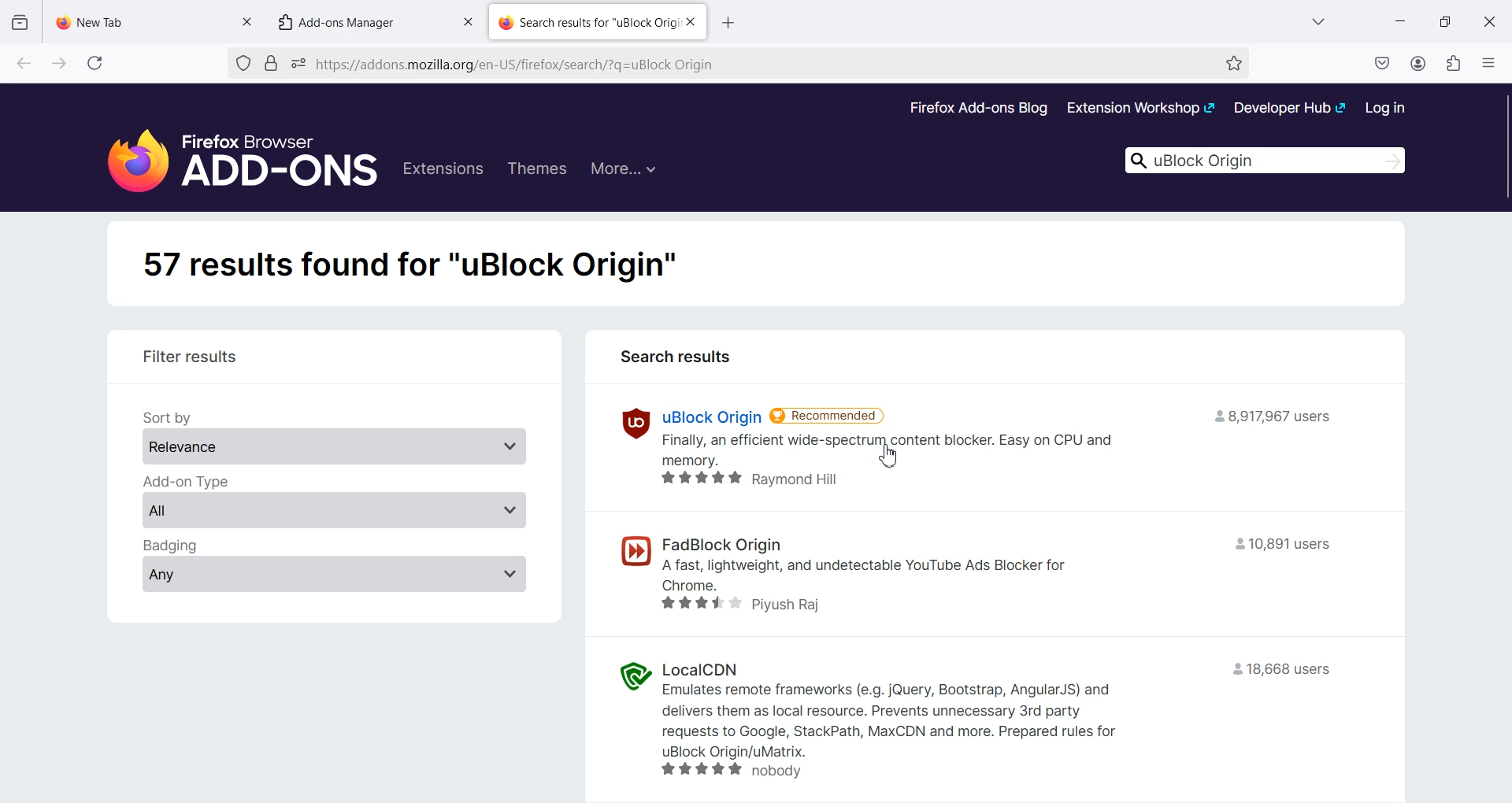 The image size is (1512, 803). Describe the element at coordinates (880, 451) in the screenshot. I see `Finally, an efficient wide-spectrum content blocker. Easy on CPU and memory.` at that location.